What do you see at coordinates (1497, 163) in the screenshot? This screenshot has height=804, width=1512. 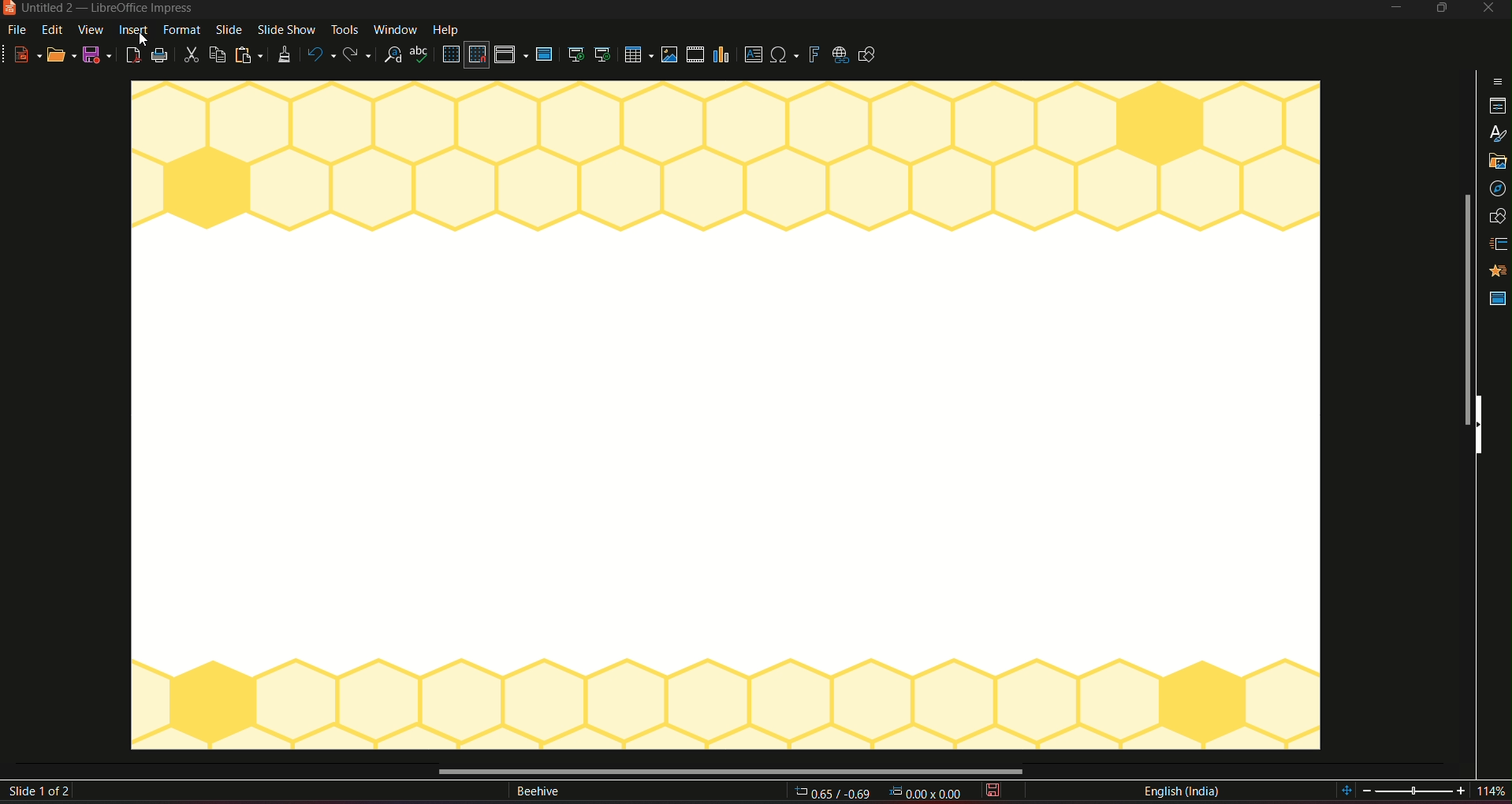 I see `gallery` at bounding box center [1497, 163].